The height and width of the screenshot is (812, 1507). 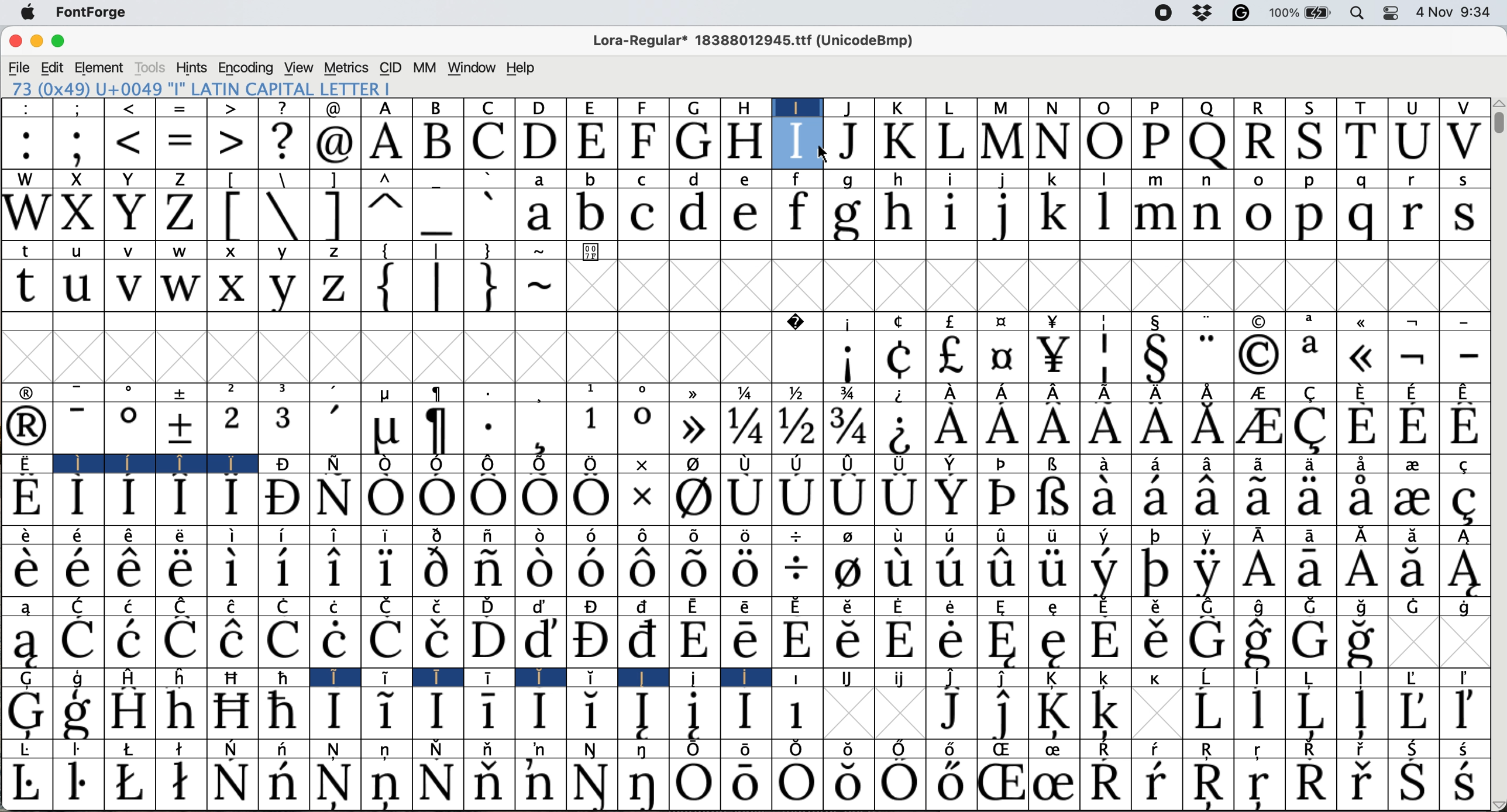 I want to click on i, so click(x=952, y=180).